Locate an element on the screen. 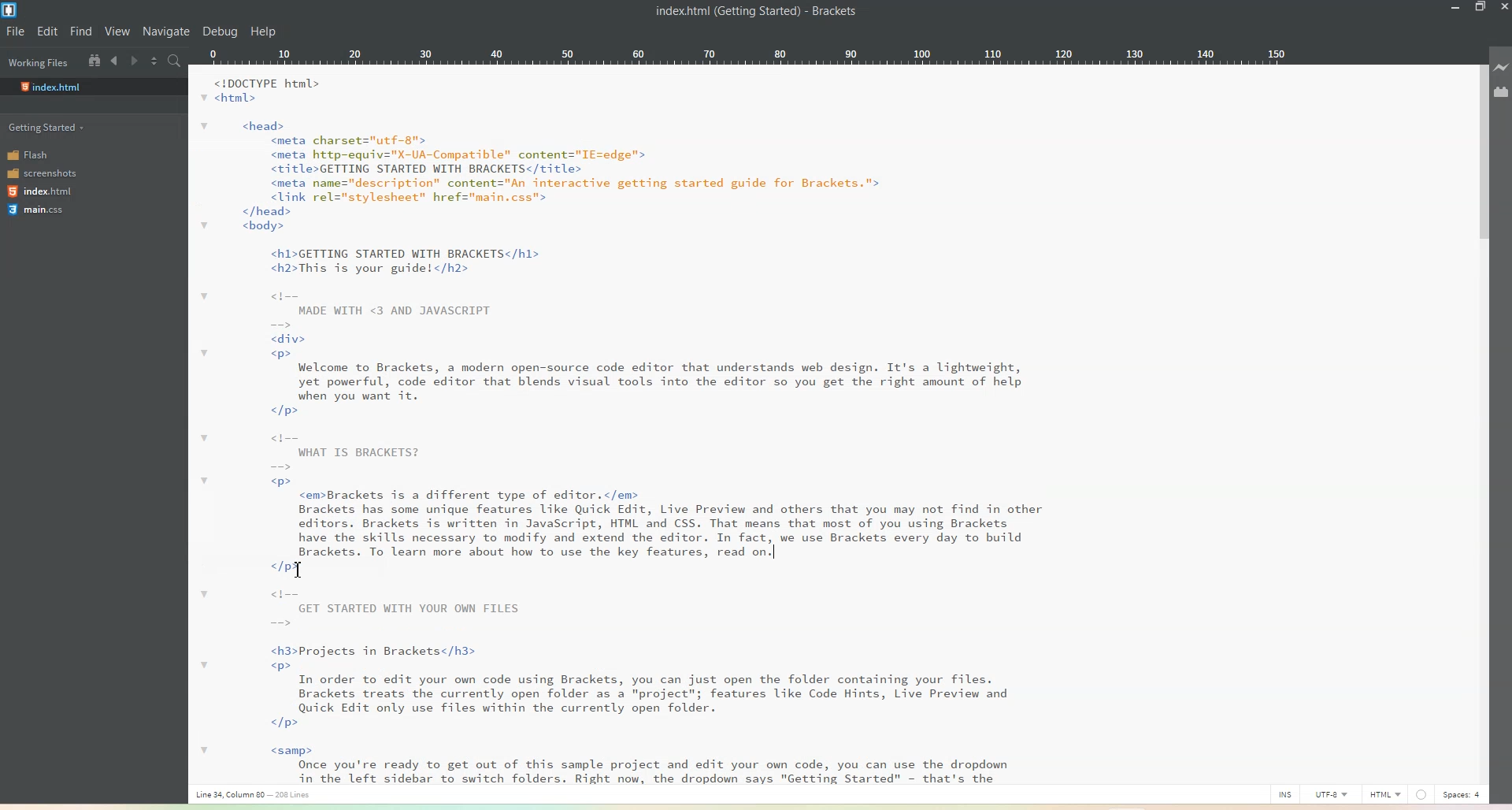 This screenshot has height=810, width=1512. Vertical scroll bar is located at coordinates (1480, 414).